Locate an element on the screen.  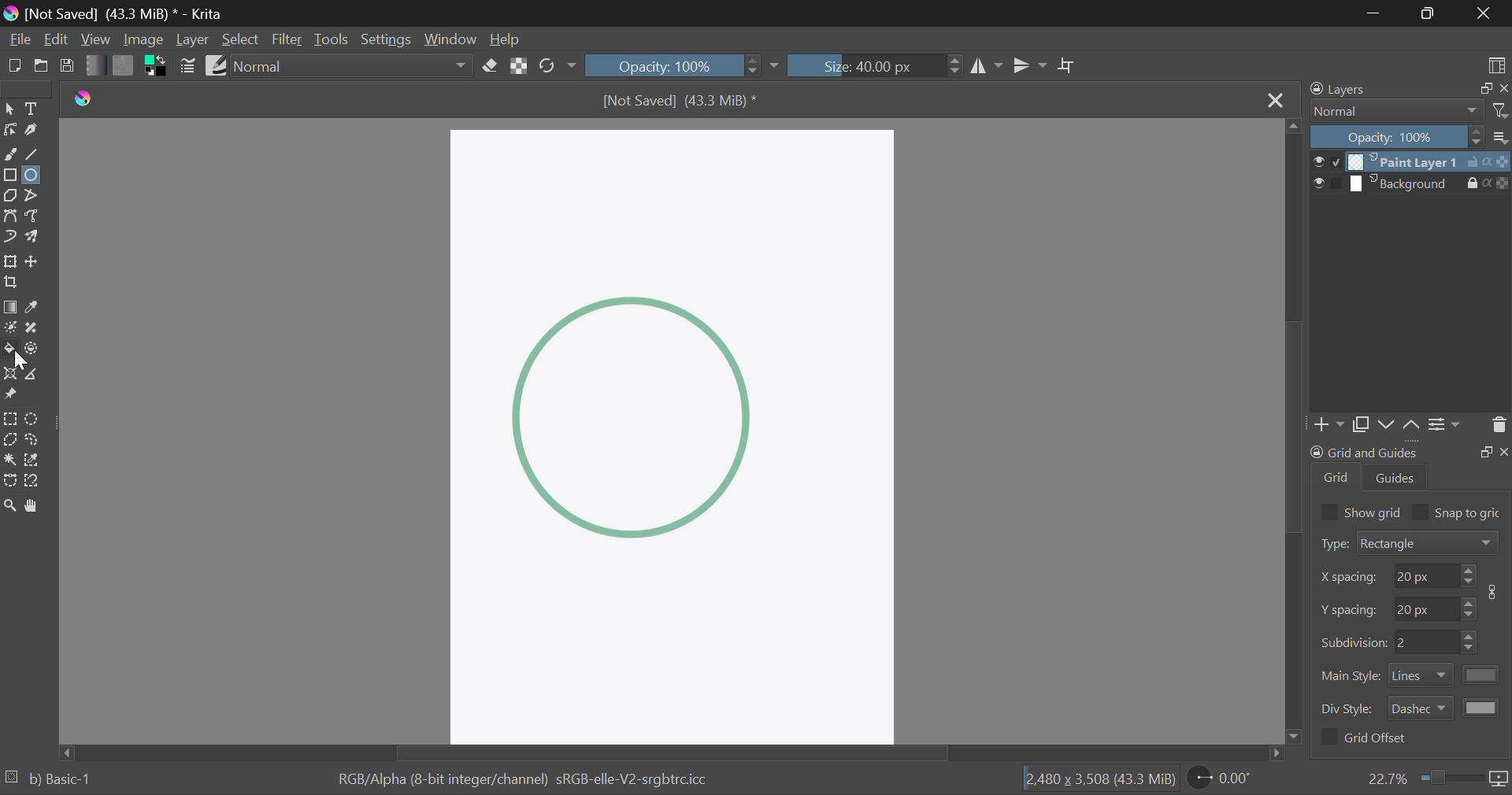
Multibrush Tool is located at coordinates (35, 238).